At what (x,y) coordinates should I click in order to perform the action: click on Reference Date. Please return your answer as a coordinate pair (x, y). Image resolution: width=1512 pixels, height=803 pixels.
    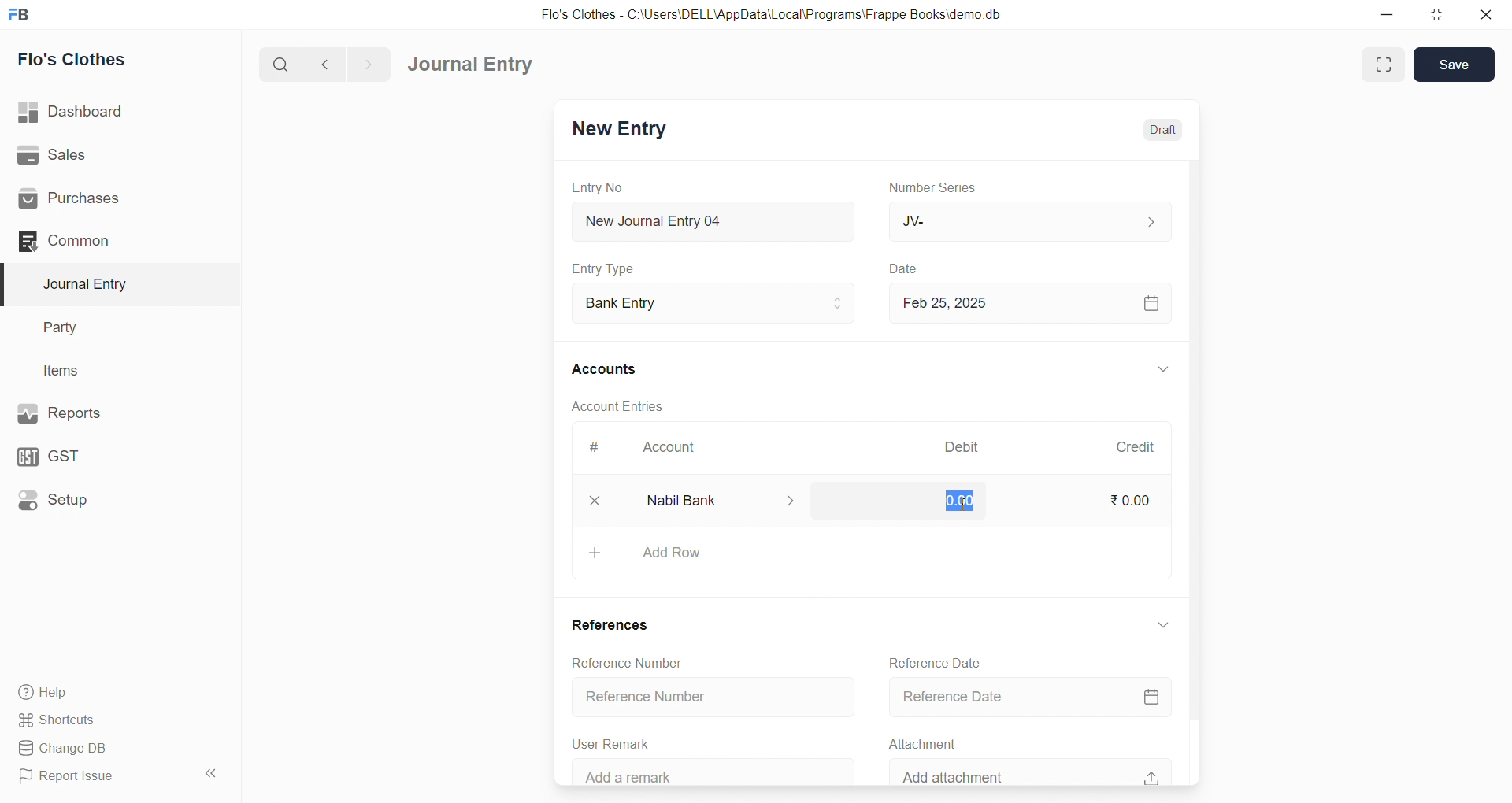
    Looking at the image, I should click on (931, 661).